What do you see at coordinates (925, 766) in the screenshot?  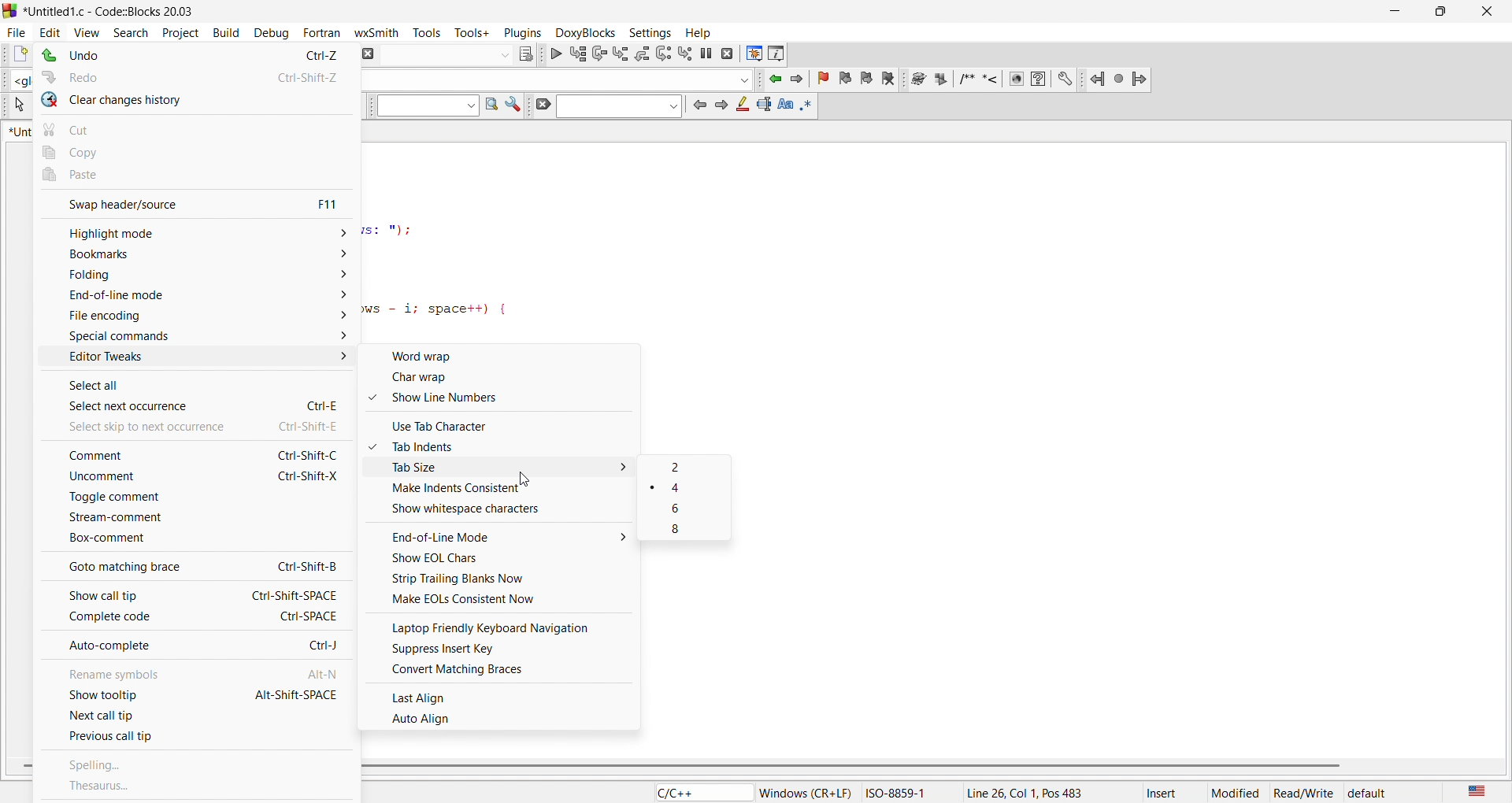 I see `scroll bar` at bounding box center [925, 766].